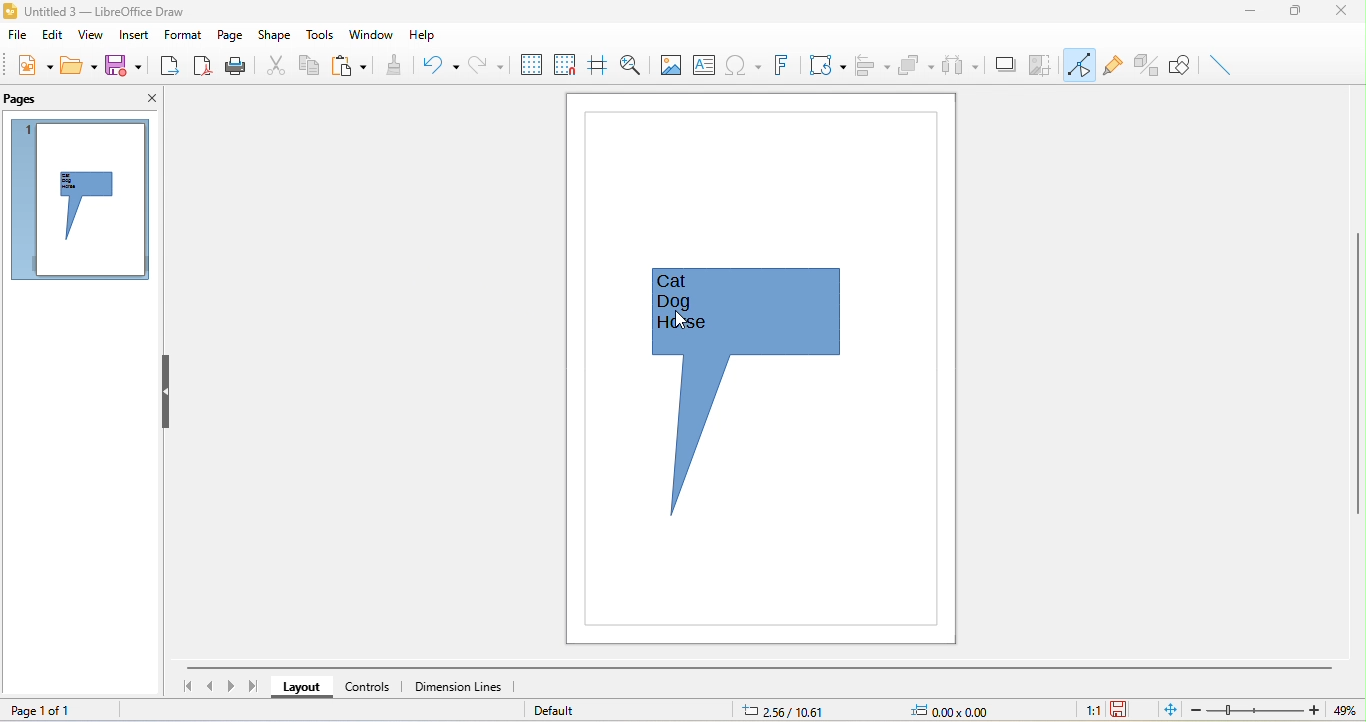 This screenshot has height=722, width=1366. What do you see at coordinates (827, 68) in the screenshot?
I see `transformation` at bounding box center [827, 68].